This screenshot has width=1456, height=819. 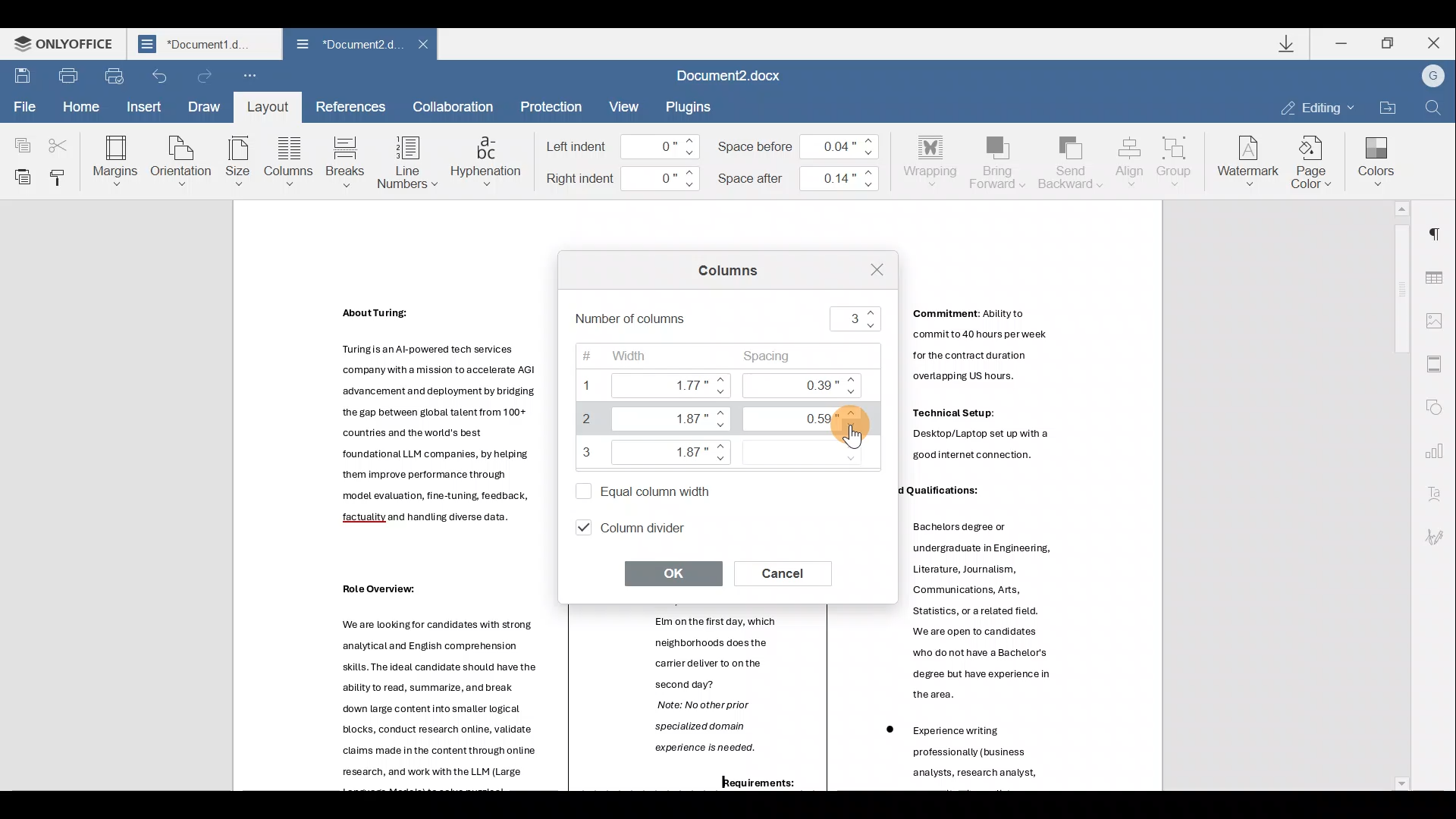 What do you see at coordinates (623, 147) in the screenshot?
I see `Left indent` at bounding box center [623, 147].